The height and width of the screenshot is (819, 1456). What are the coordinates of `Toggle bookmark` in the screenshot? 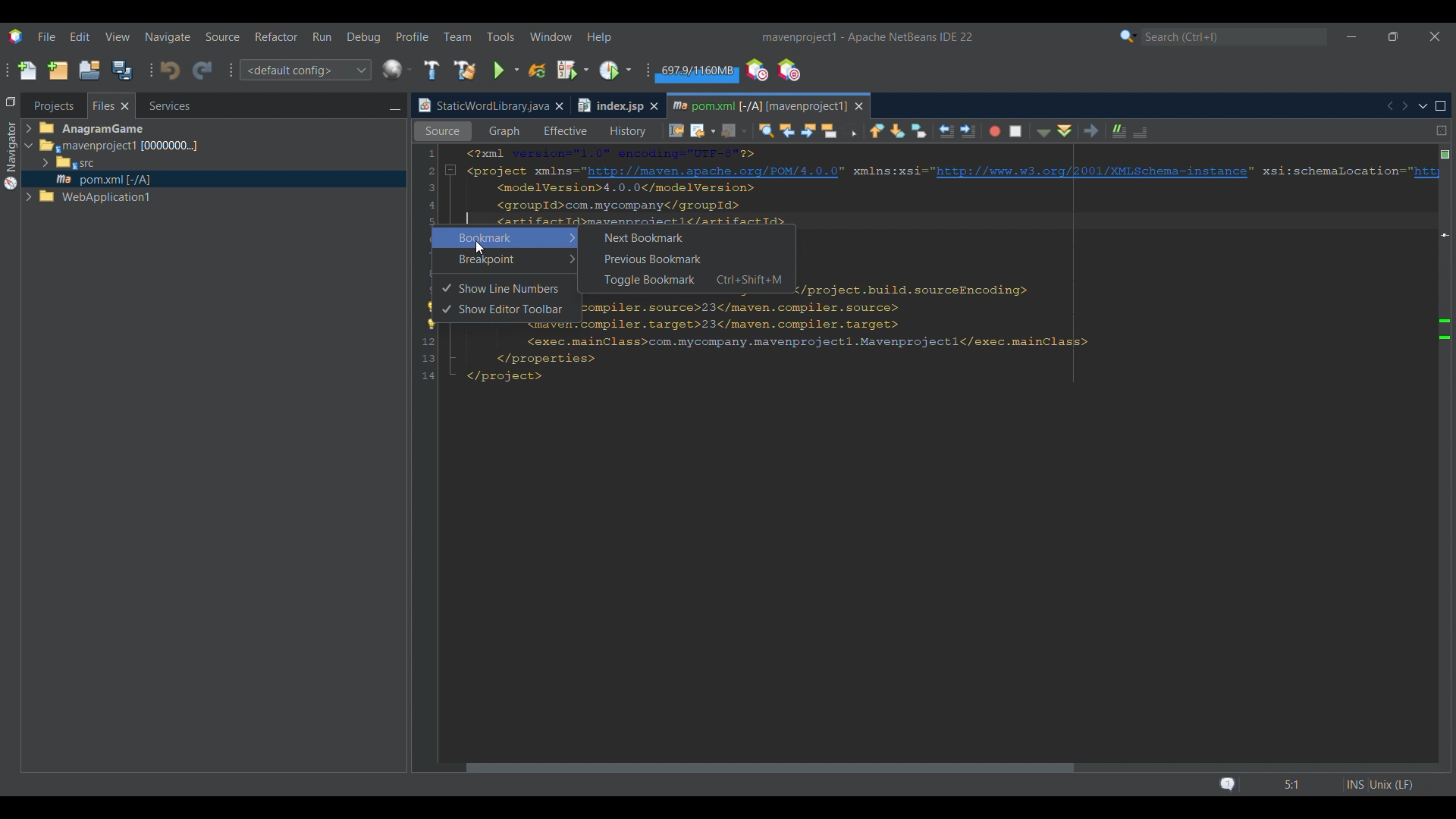 It's located at (919, 130).